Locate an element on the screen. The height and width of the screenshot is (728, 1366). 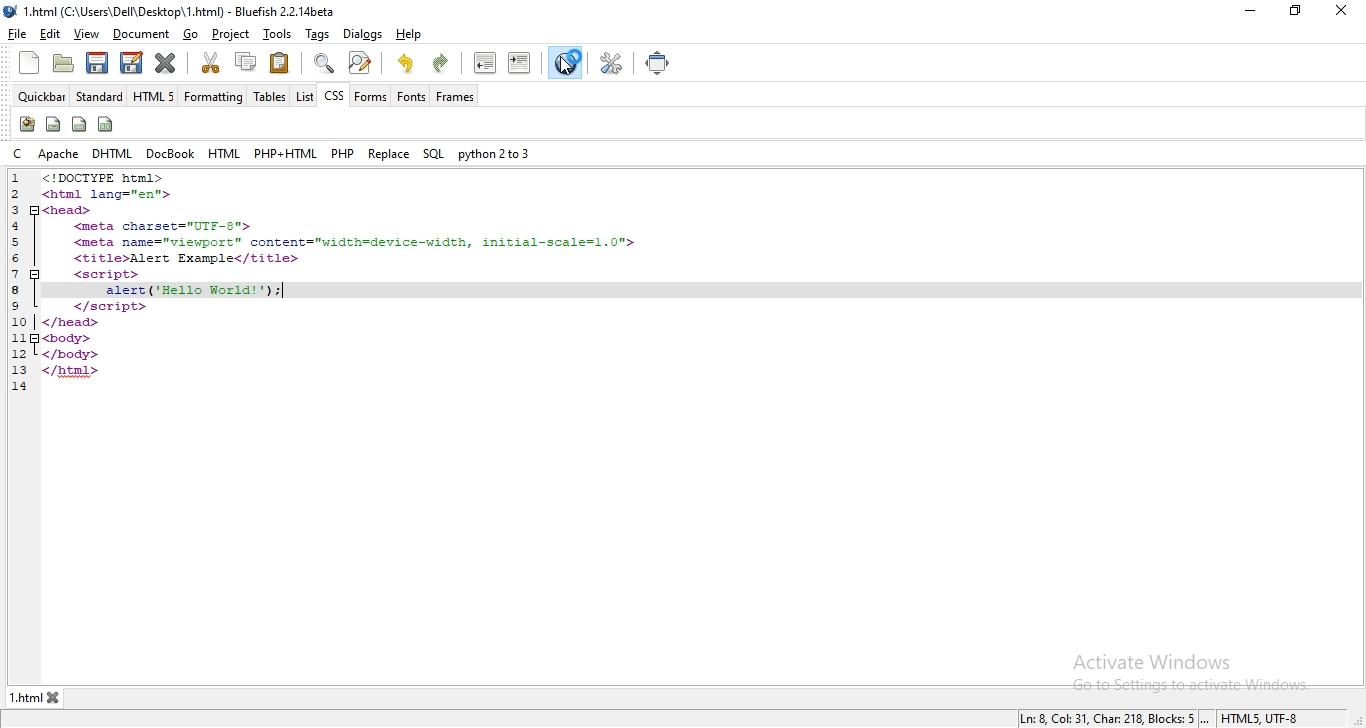
tags is located at coordinates (318, 34).